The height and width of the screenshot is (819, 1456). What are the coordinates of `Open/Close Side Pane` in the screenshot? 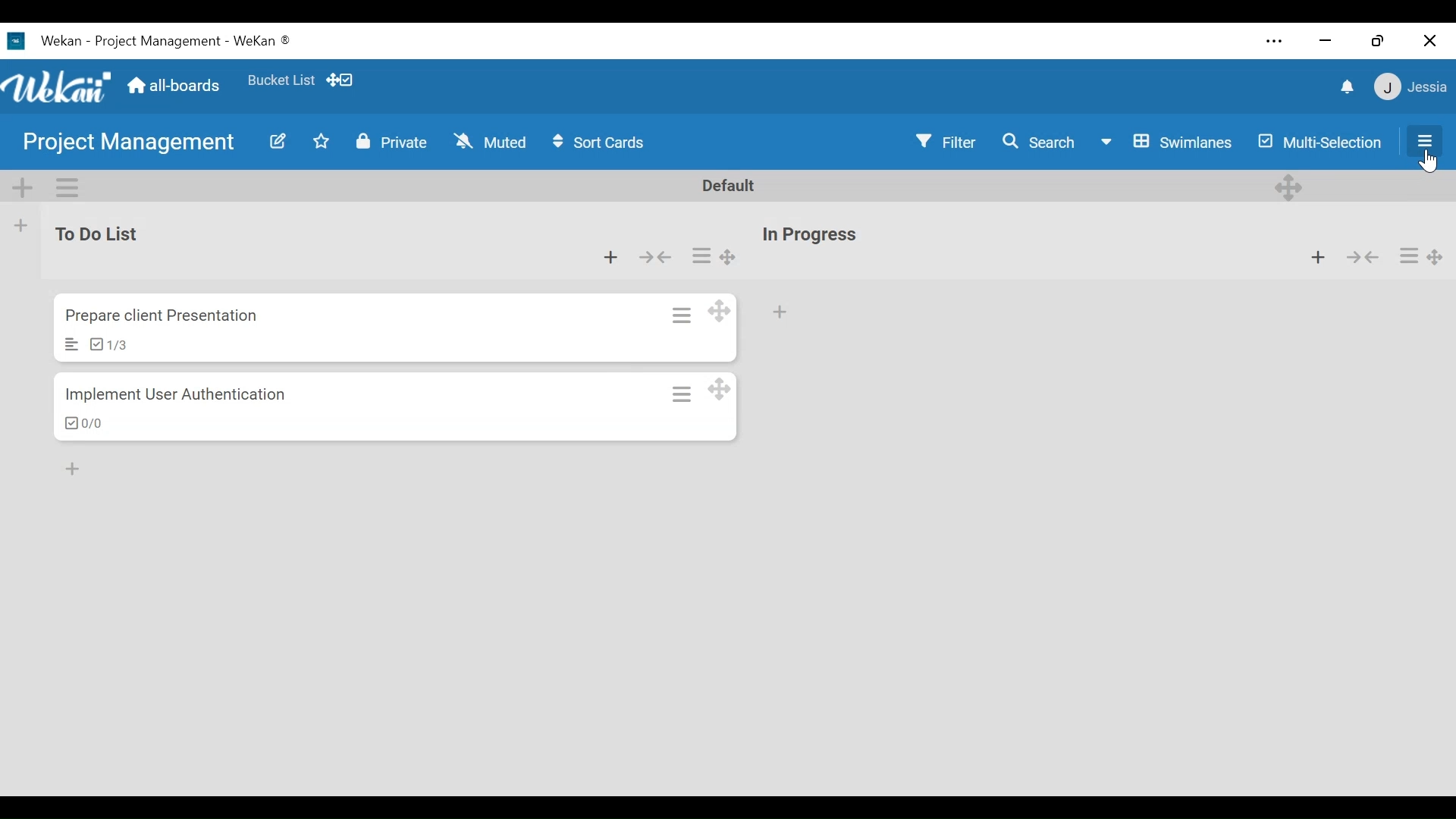 It's located at (1423, 142).